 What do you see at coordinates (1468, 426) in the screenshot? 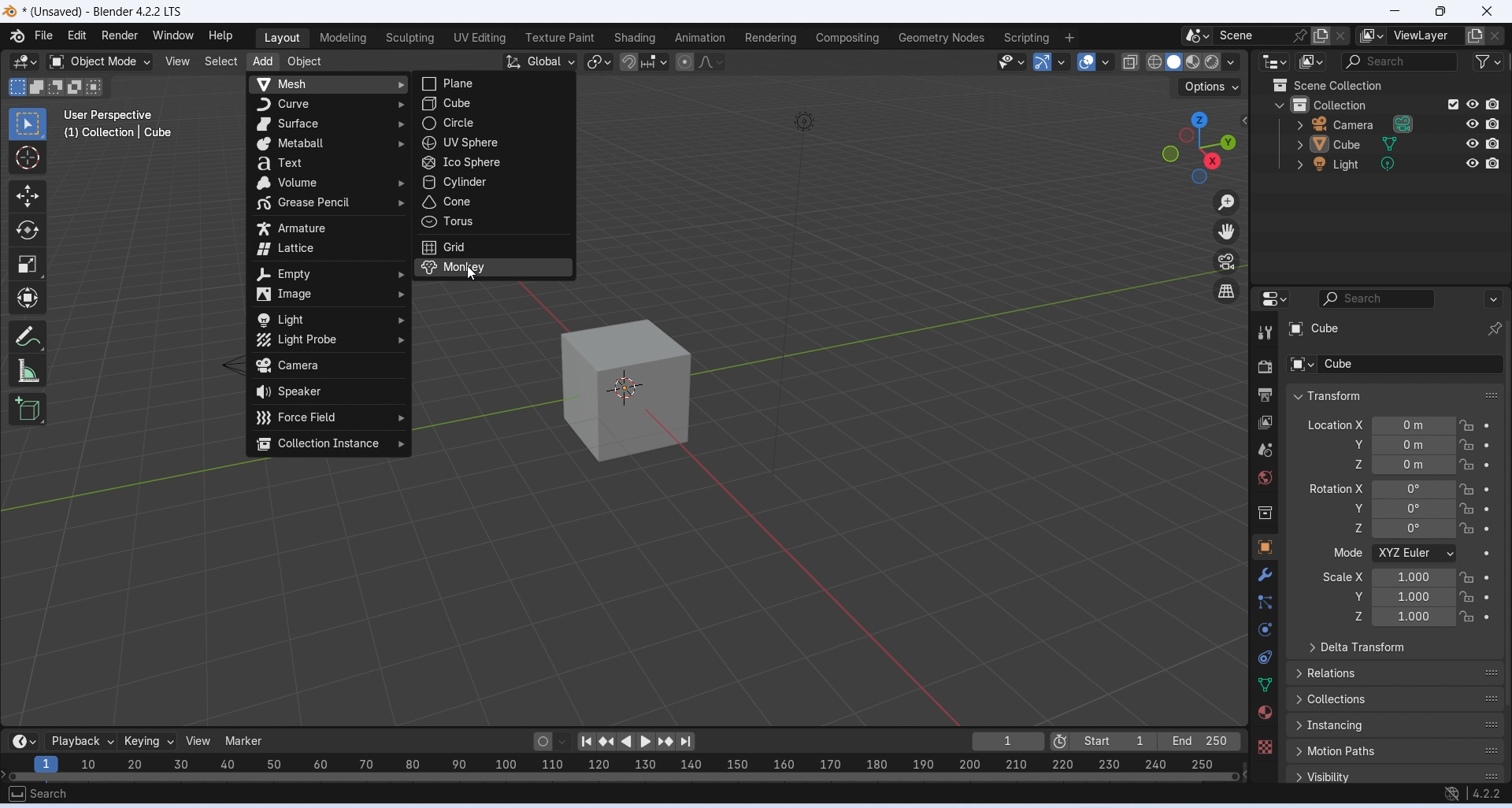
I see `lock location` at bounding box center [1468, 426].